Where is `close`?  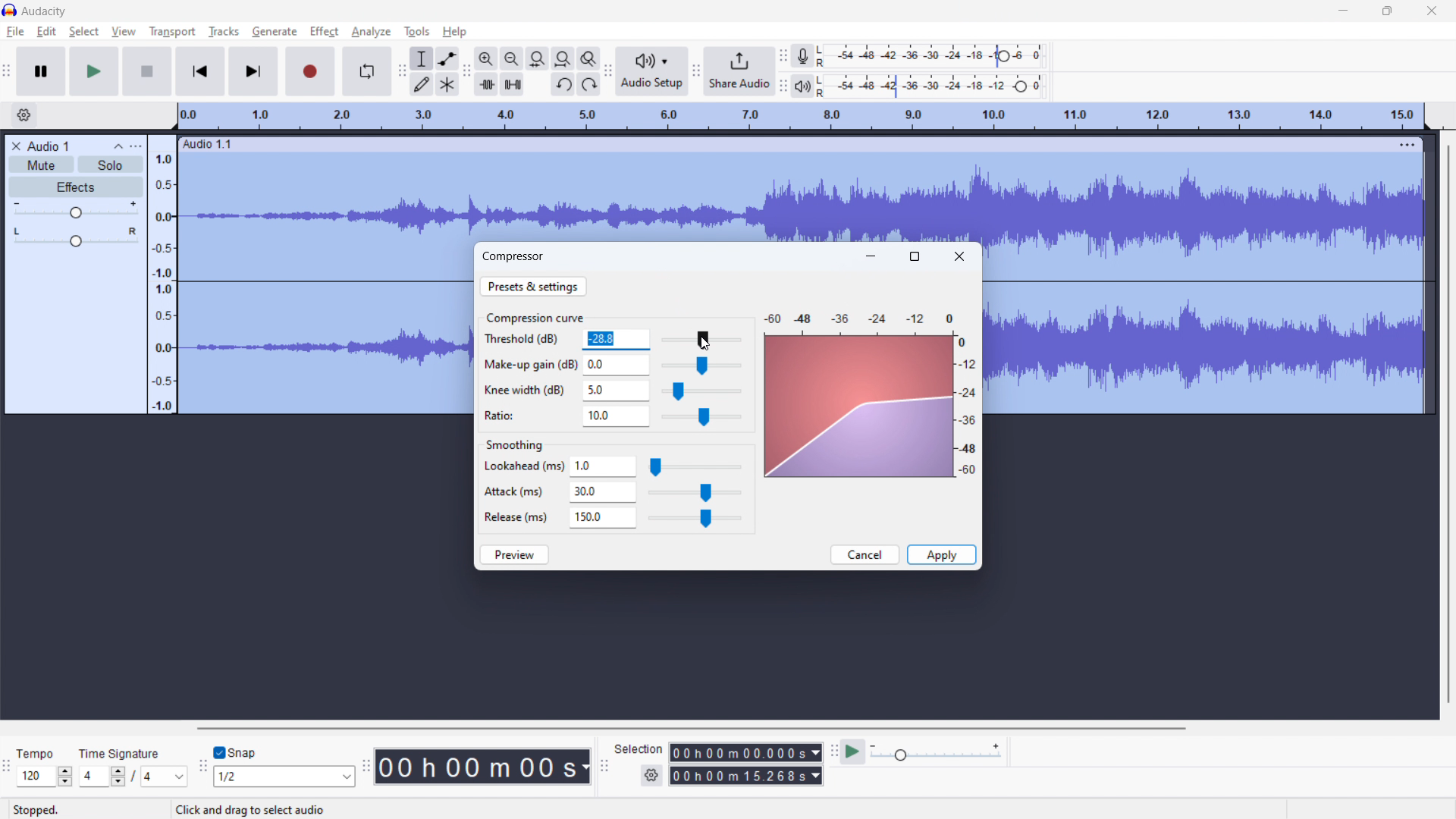
close is located at coordinates (1432, 11).